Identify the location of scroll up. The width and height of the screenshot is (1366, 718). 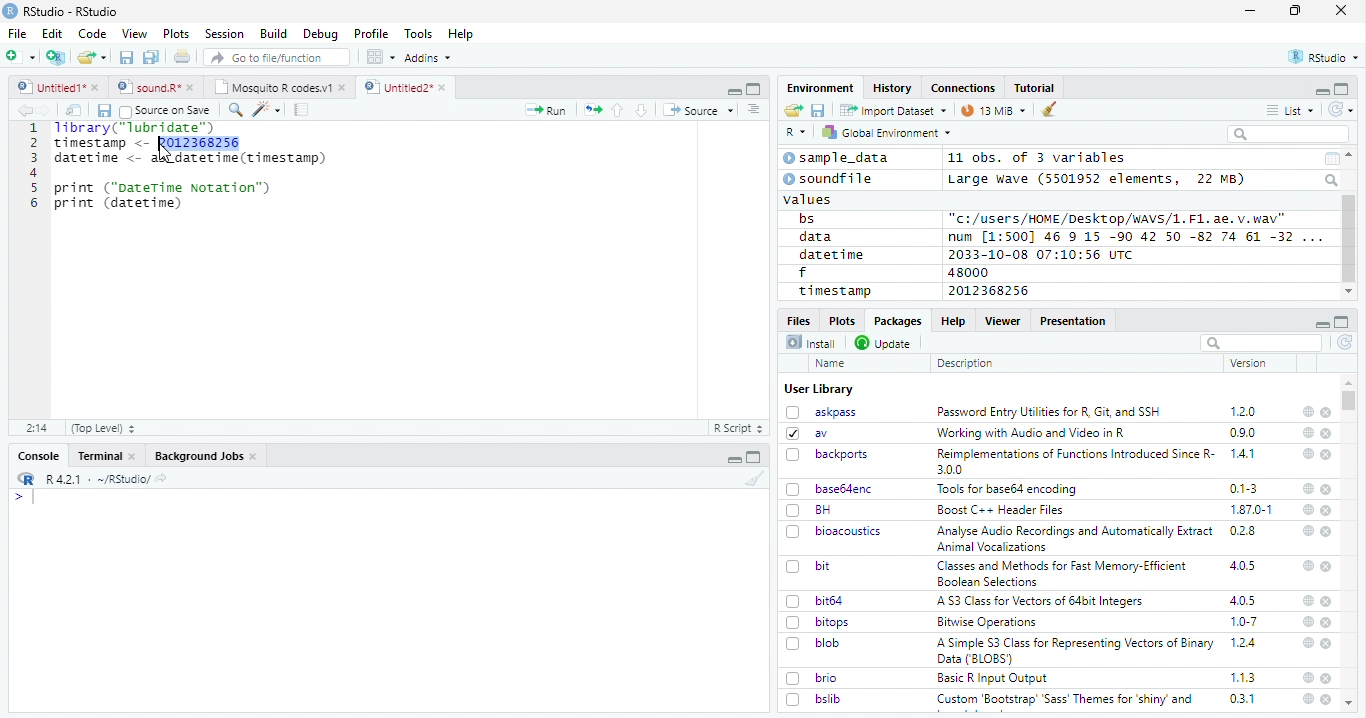
(1351, 155).